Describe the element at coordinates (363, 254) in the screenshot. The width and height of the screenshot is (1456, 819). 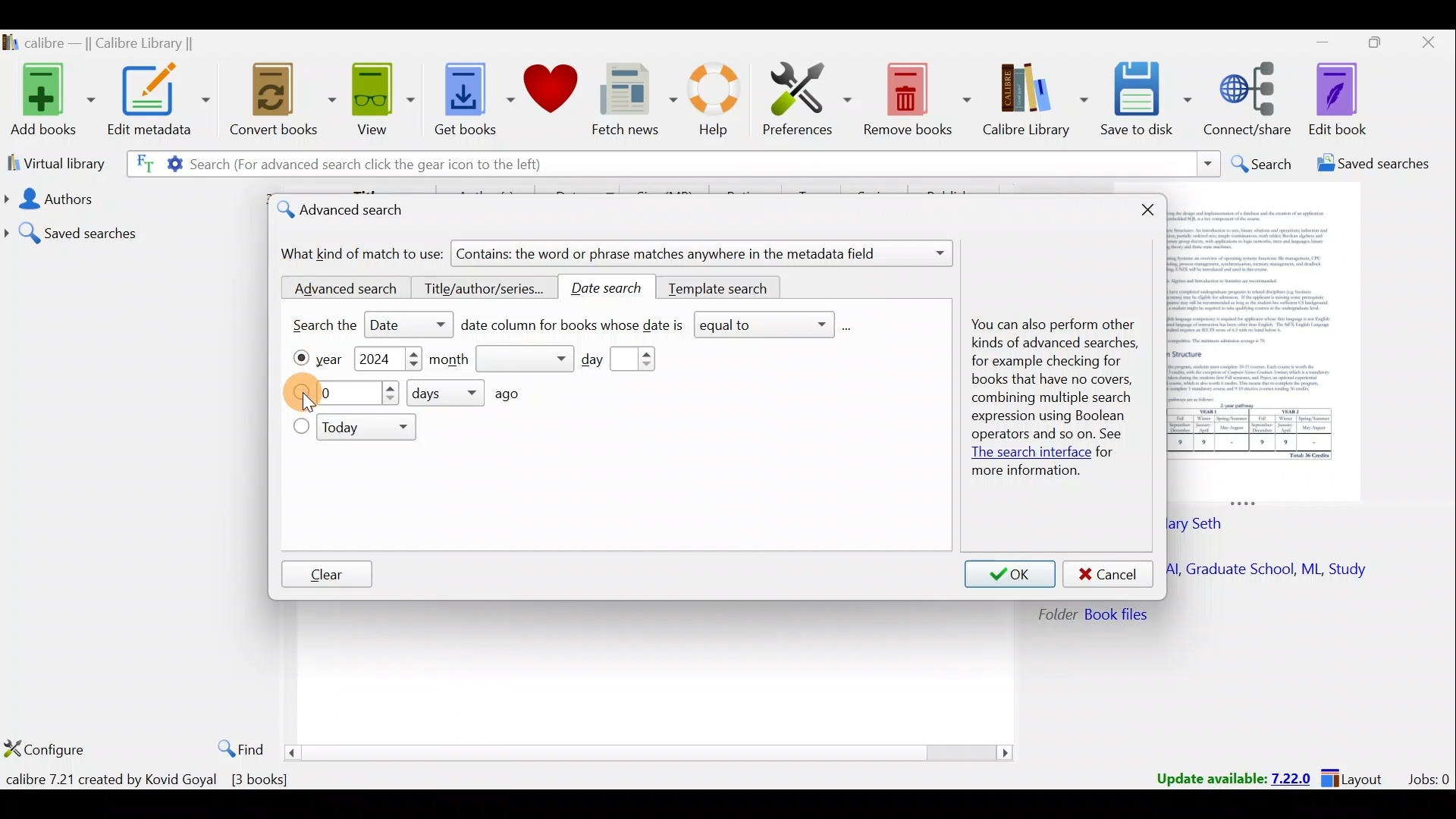
I see `What kind of match to use:` at that location.